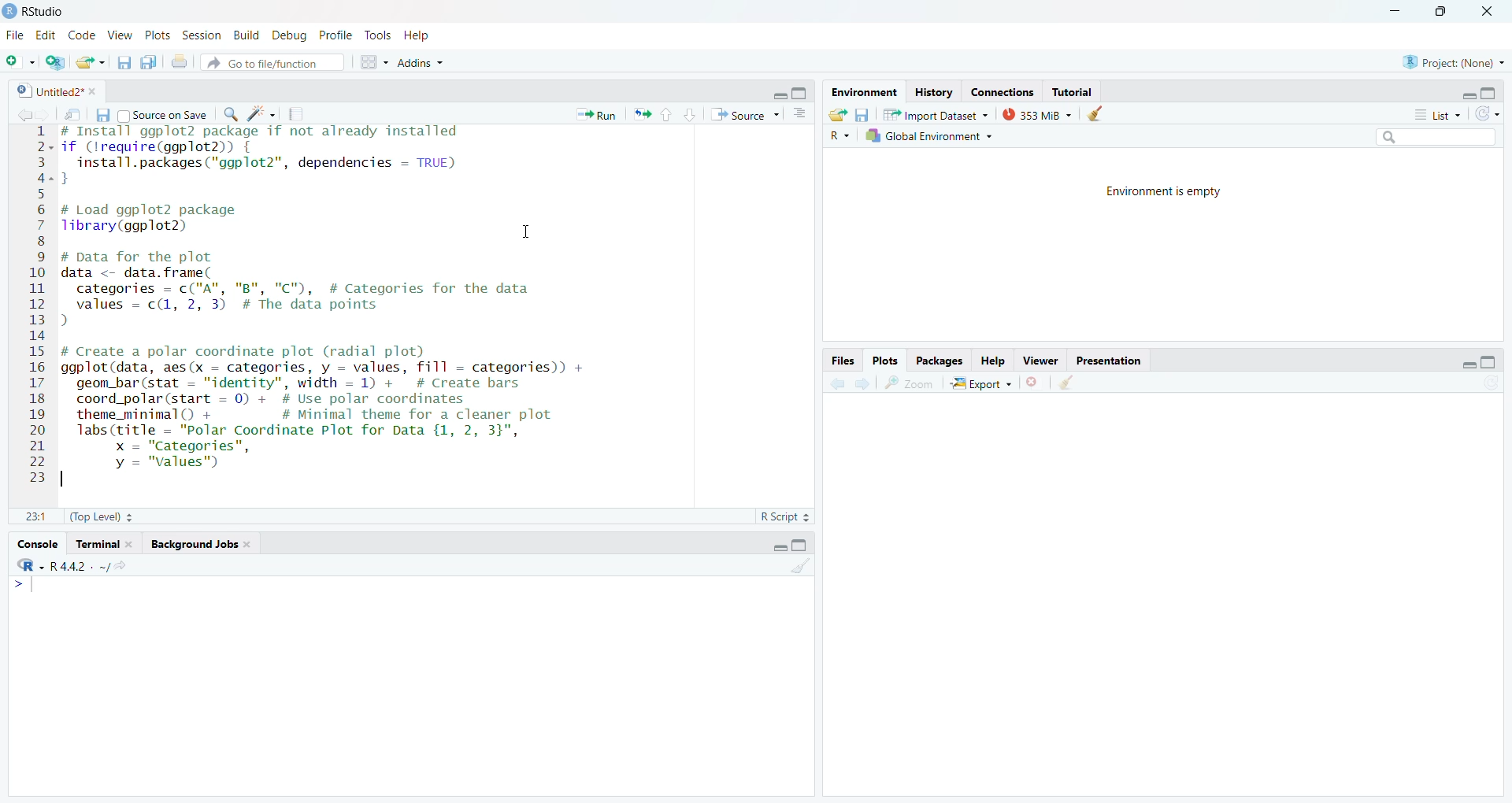  What do you see at coordinates (838, 136) in the screenshot?
I see `R~` at bounding box center [838, 136].